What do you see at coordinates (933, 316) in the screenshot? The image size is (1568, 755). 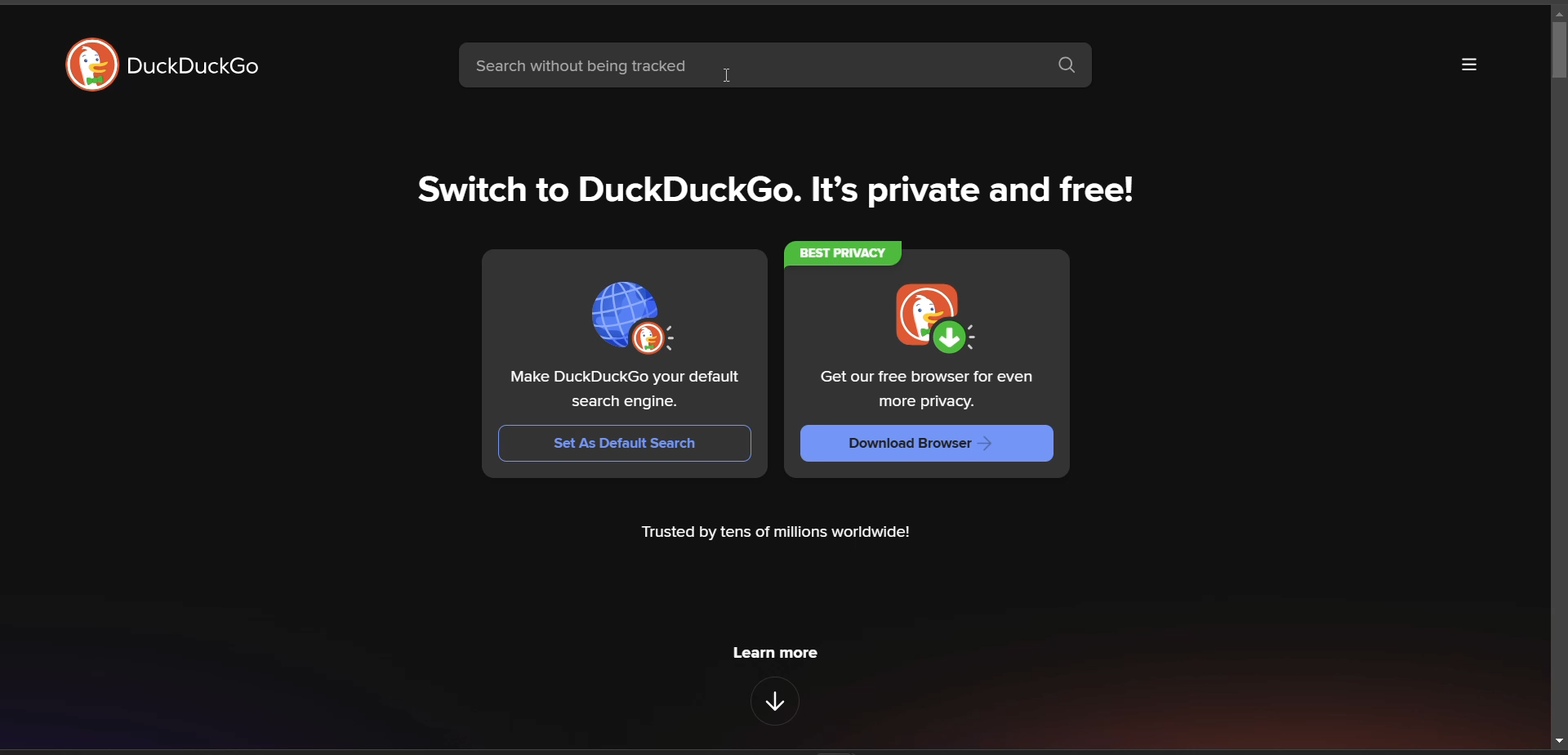 I see `icon` at bounding box center [933, 316].